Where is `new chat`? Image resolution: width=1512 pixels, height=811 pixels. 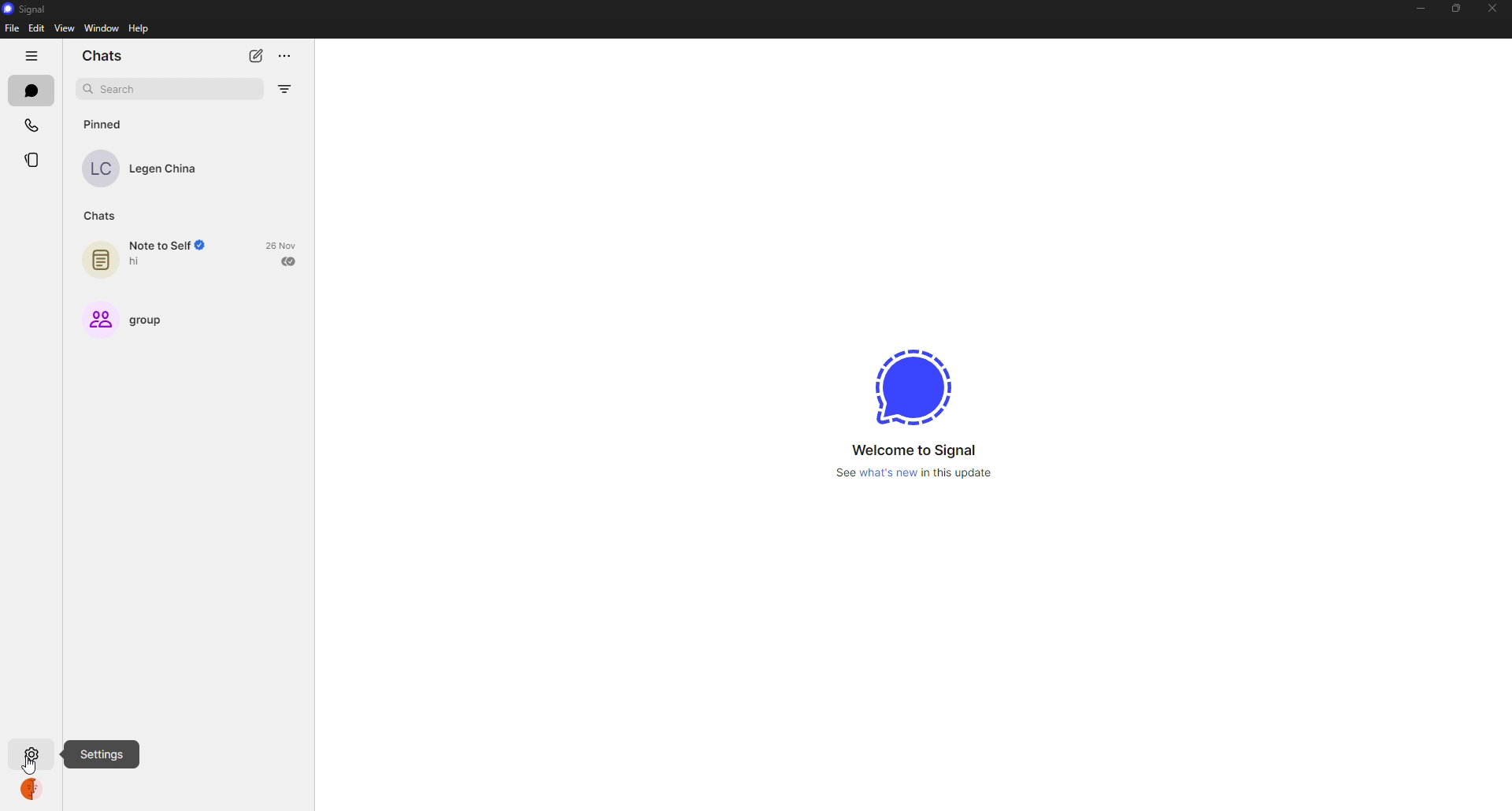 new chat is located at coordinates (255, 57).